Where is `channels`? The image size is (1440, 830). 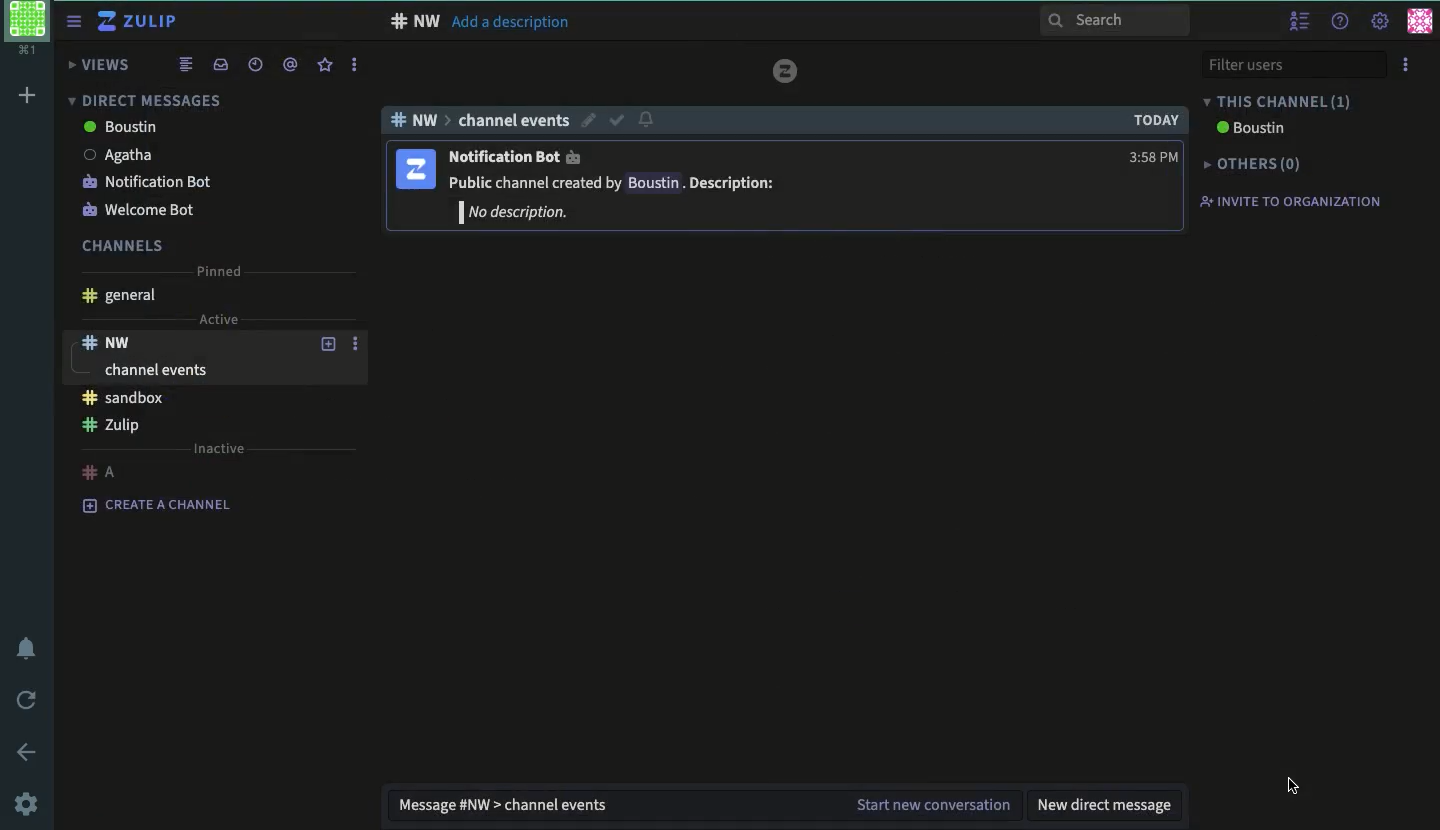
channels is located at coordinates (132, 244).